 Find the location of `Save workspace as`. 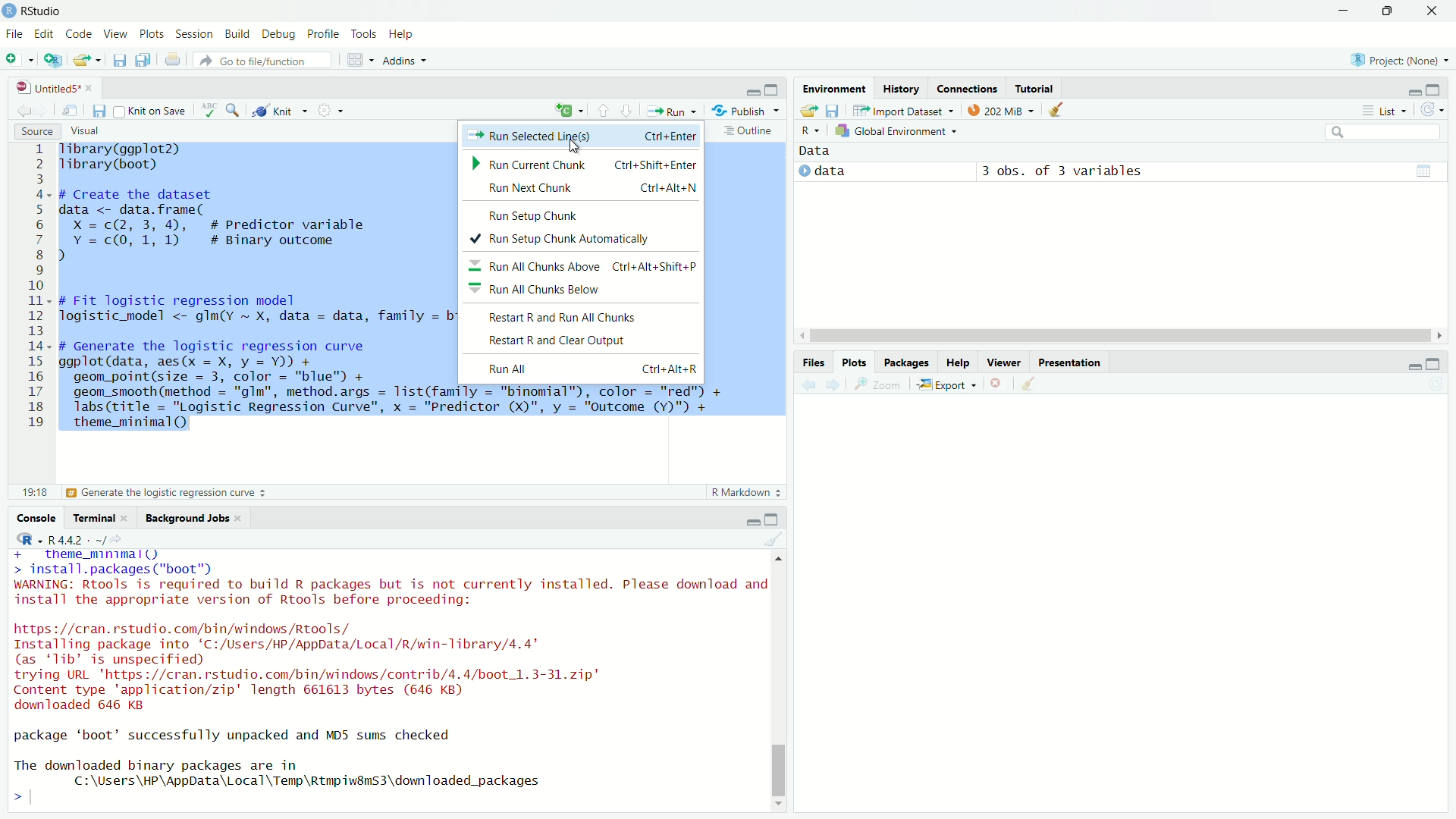

Save workspace as is located at coordinates (833, 111).